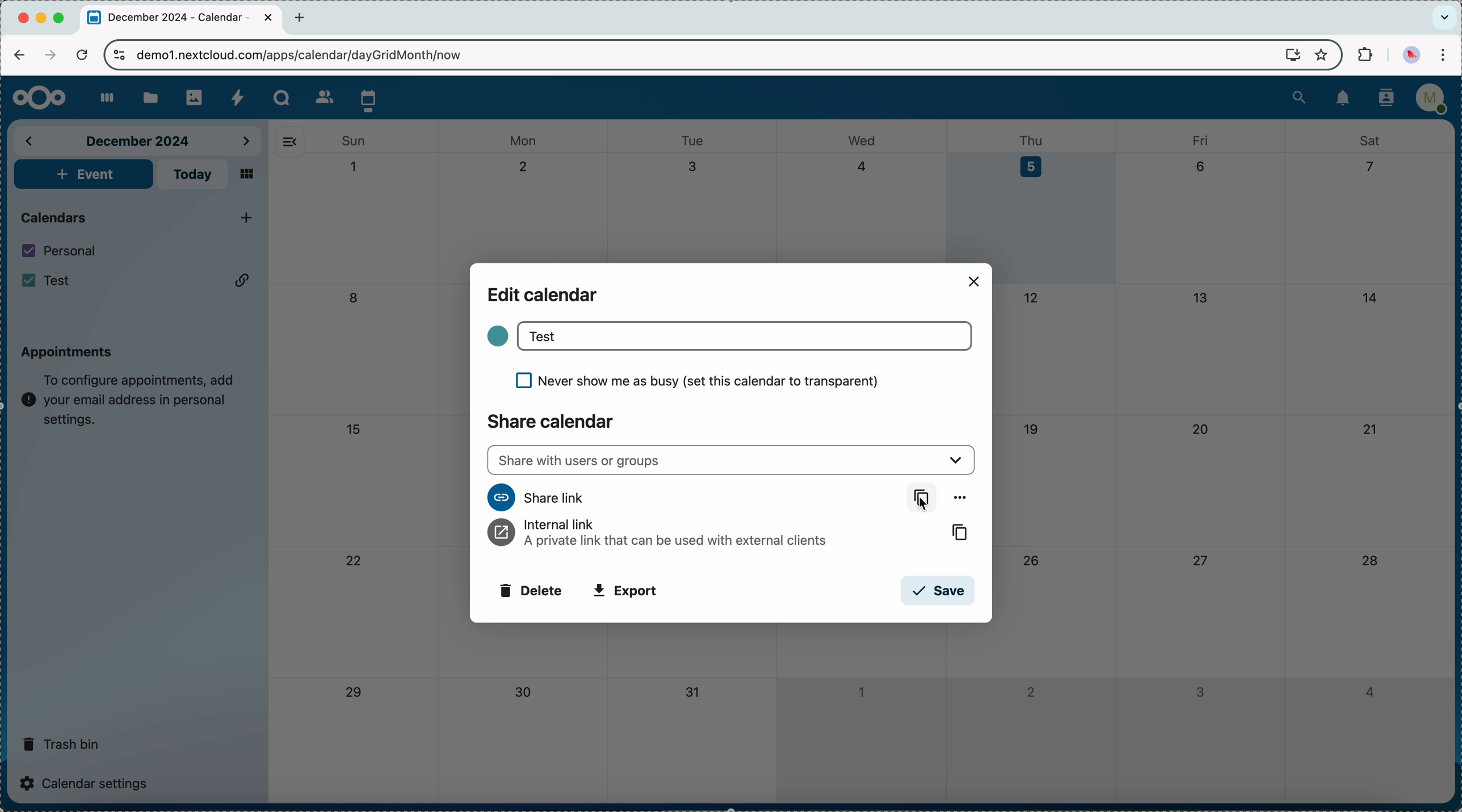  What do you see at coordinates (1200, 297) in the screenshot?
I see `13` at bounding box center [1200, 297].